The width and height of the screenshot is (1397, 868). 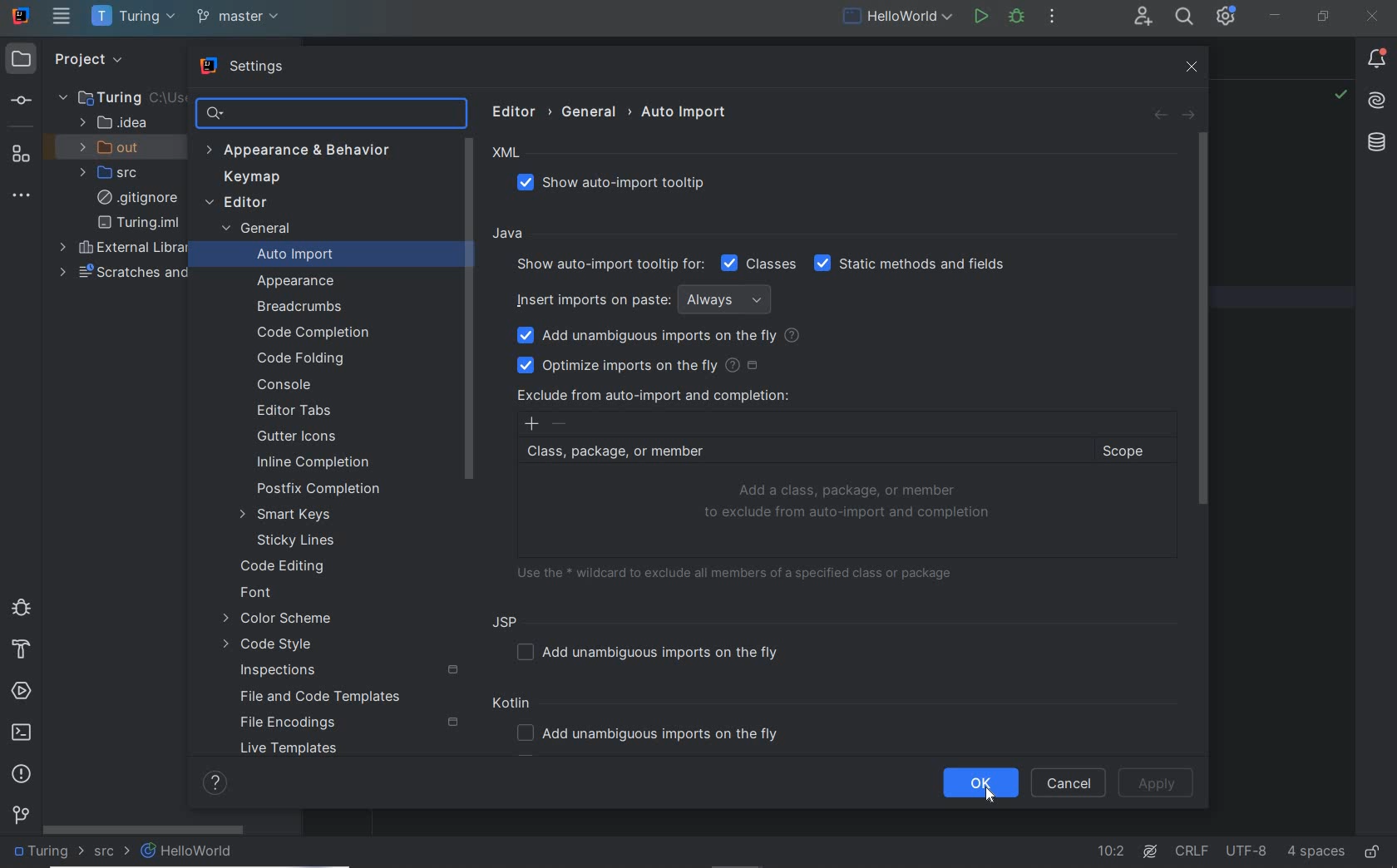 I want to click on CLASSES, so click(x=759, y=263).